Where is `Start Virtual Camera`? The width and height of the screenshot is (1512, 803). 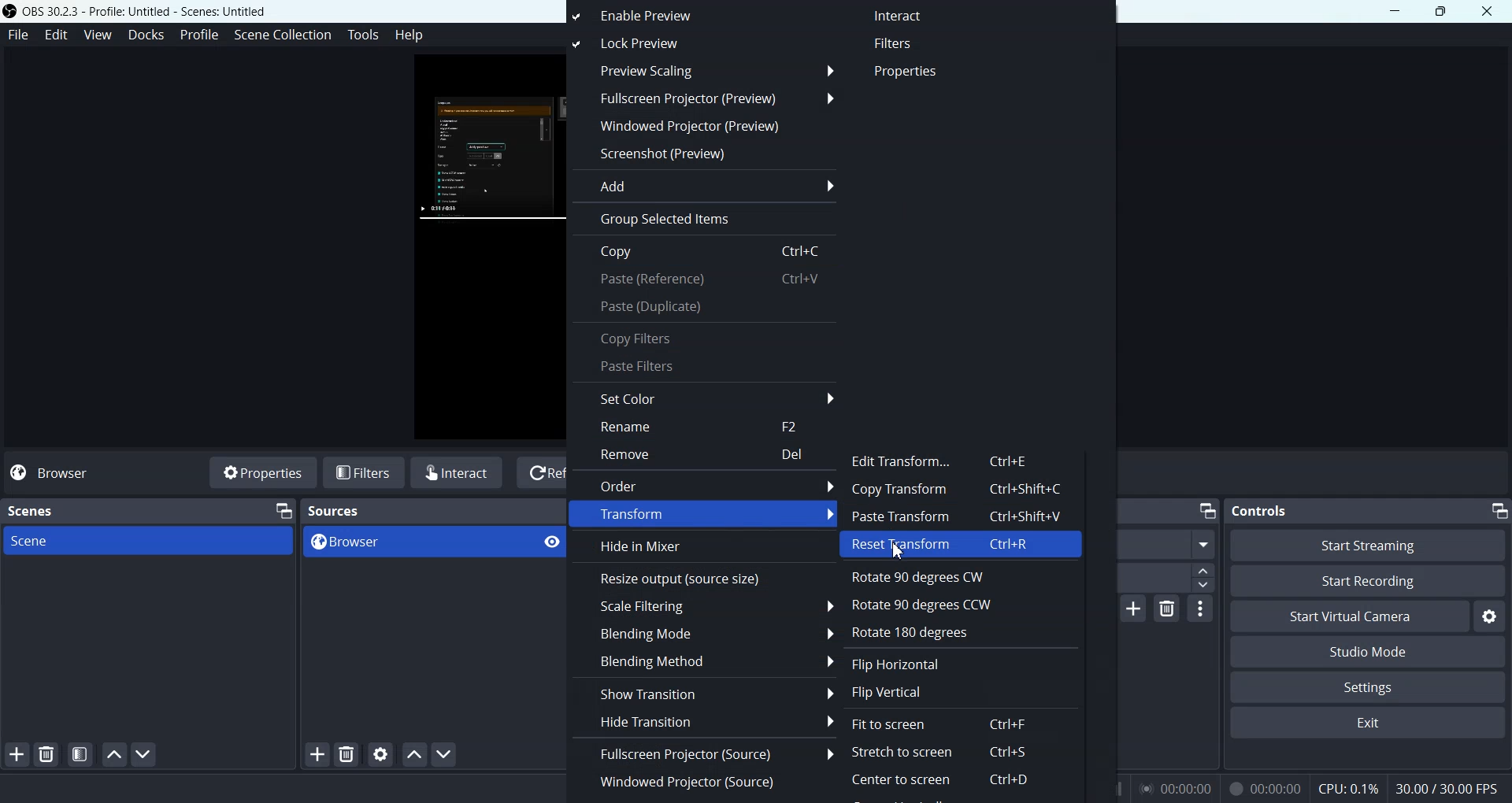 Start Virtual Camera is located at coordinates (1350, 616).